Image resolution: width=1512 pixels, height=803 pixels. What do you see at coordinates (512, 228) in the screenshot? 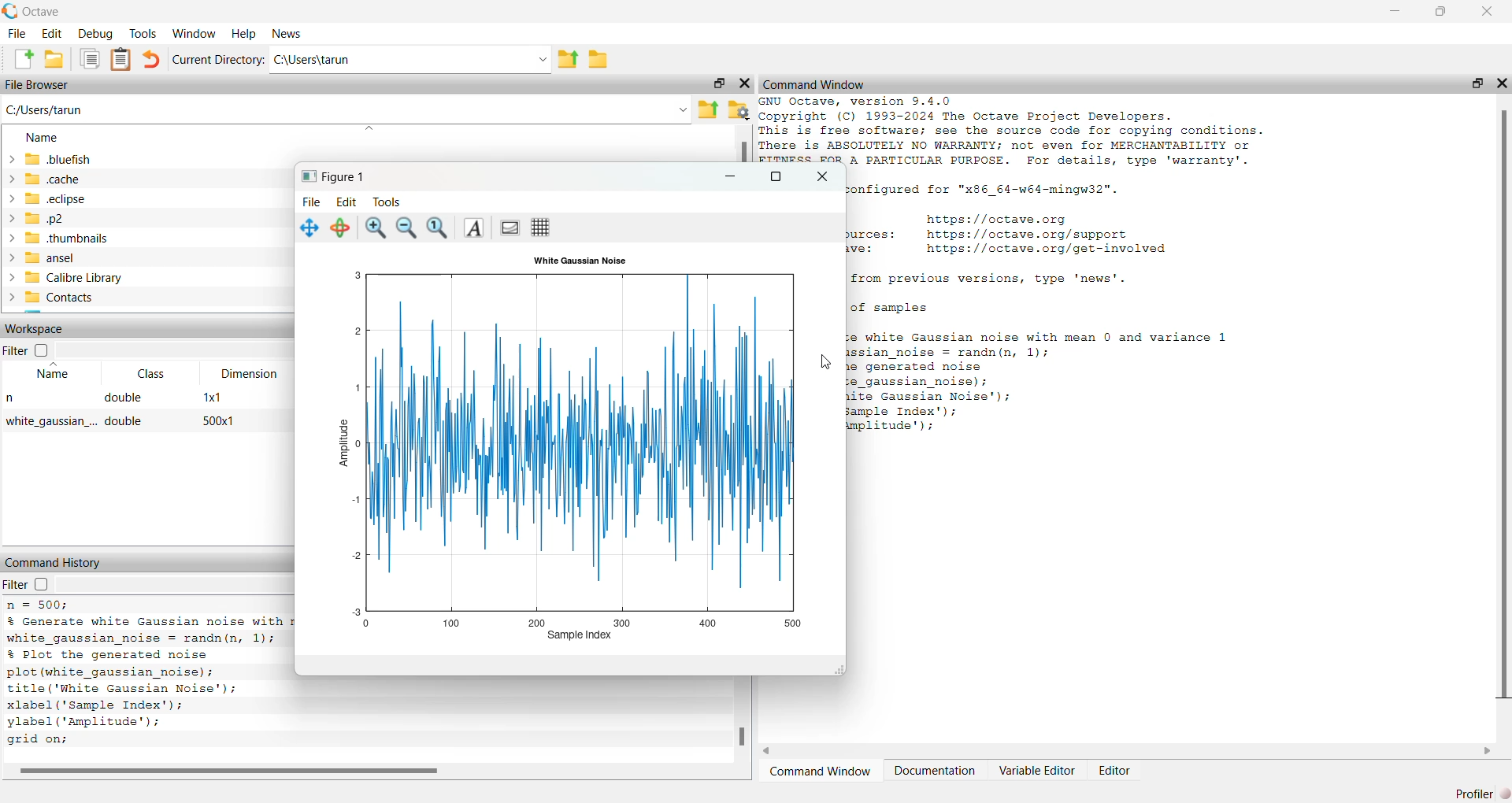
I see `Toggle current axes visibility` at bounding box center [512, 228].